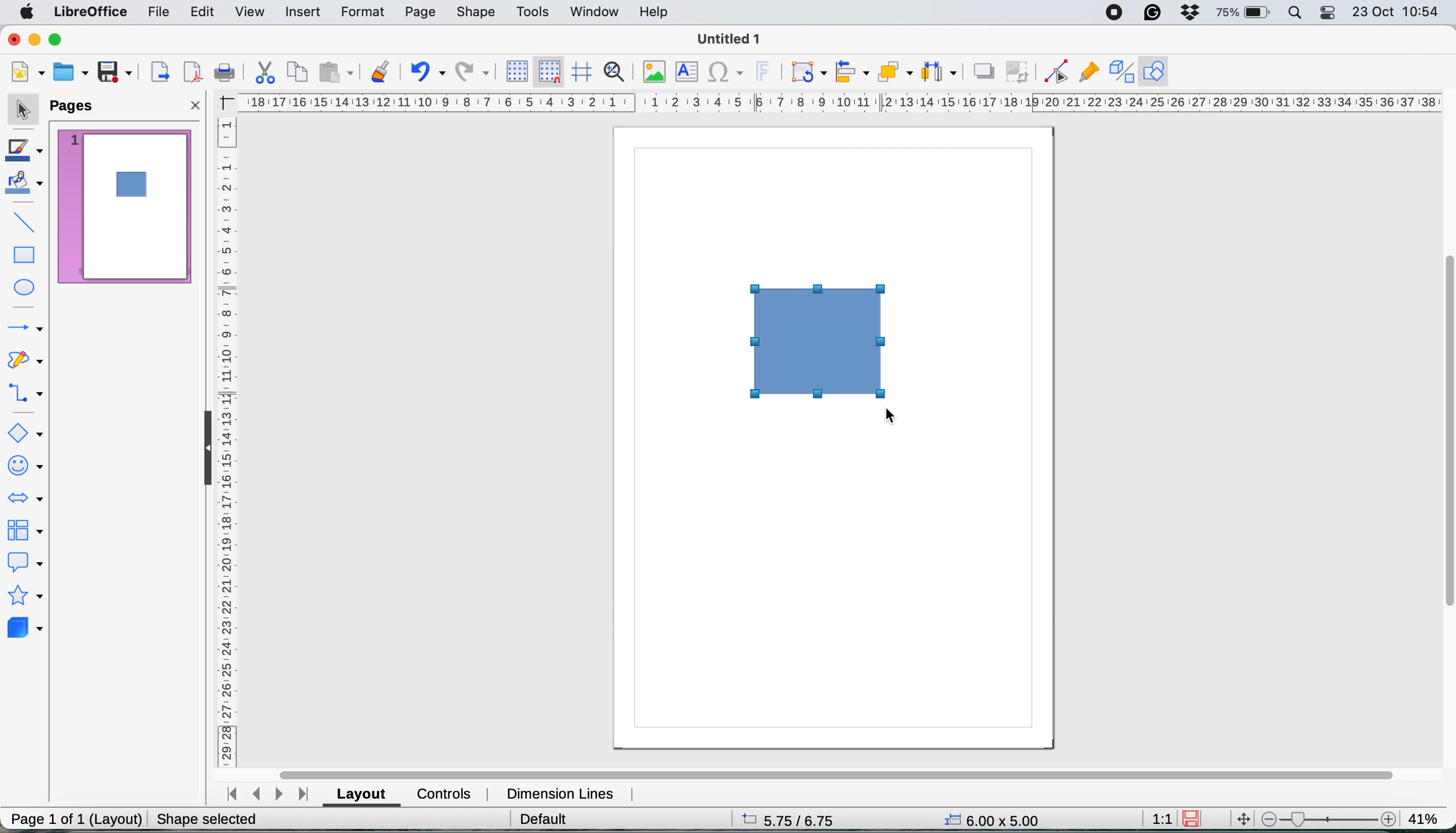 This screenshot has width=1456, height=833. Describe the element at coordinates (27, 501) in the screenshot. I see `block arrows` at that location.